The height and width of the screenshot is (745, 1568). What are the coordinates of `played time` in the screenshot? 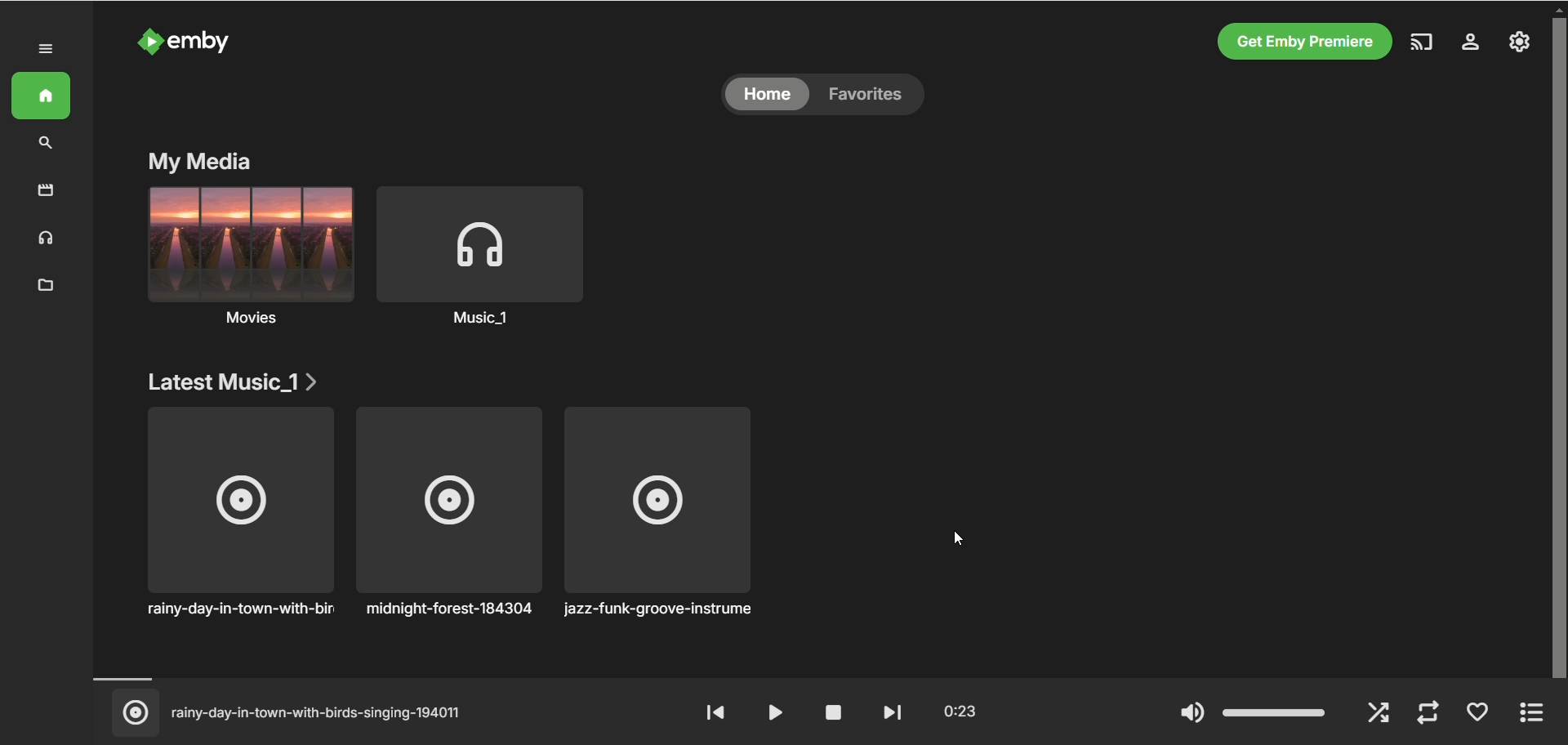 It's located at (959, 711).